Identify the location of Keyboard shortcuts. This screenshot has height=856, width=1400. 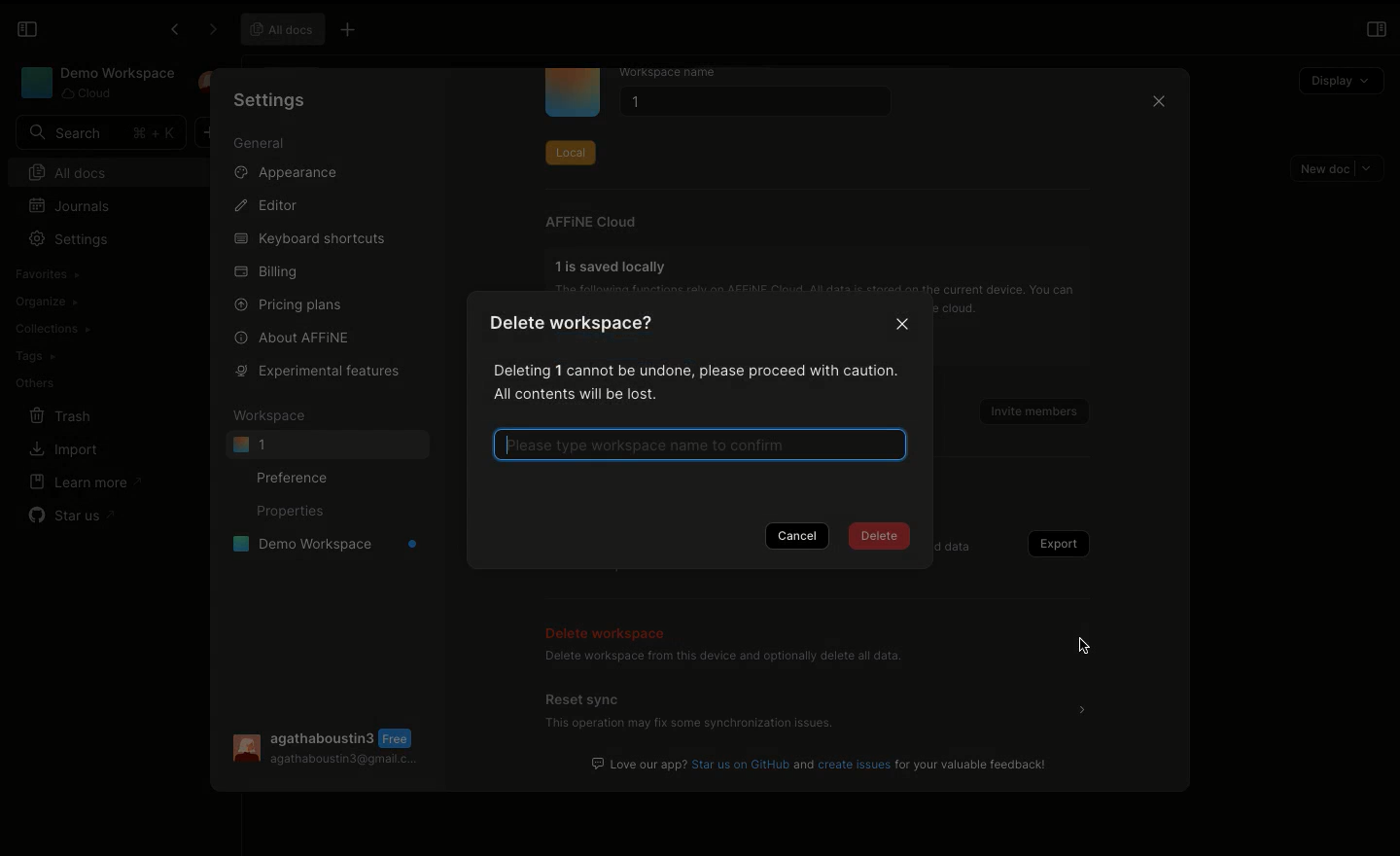
(308, 239).